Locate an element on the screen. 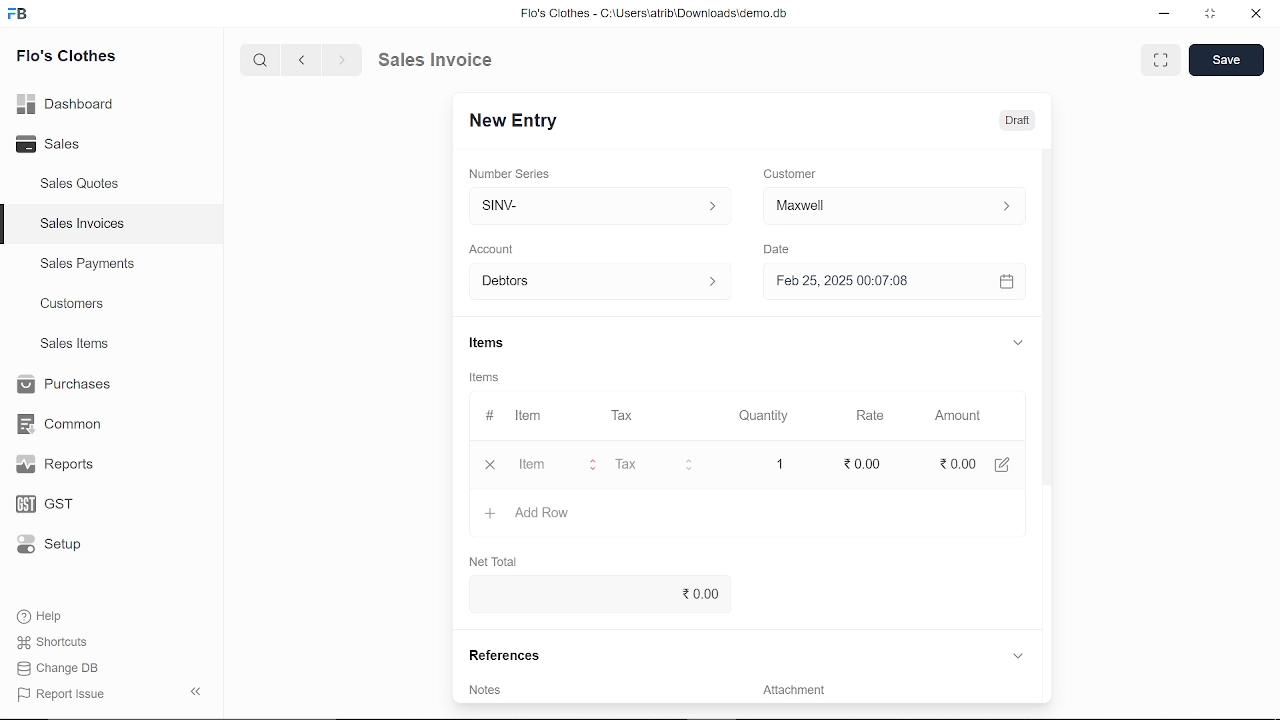 The image size is (1280, 720). Sales is located at coordinates (57, 142).